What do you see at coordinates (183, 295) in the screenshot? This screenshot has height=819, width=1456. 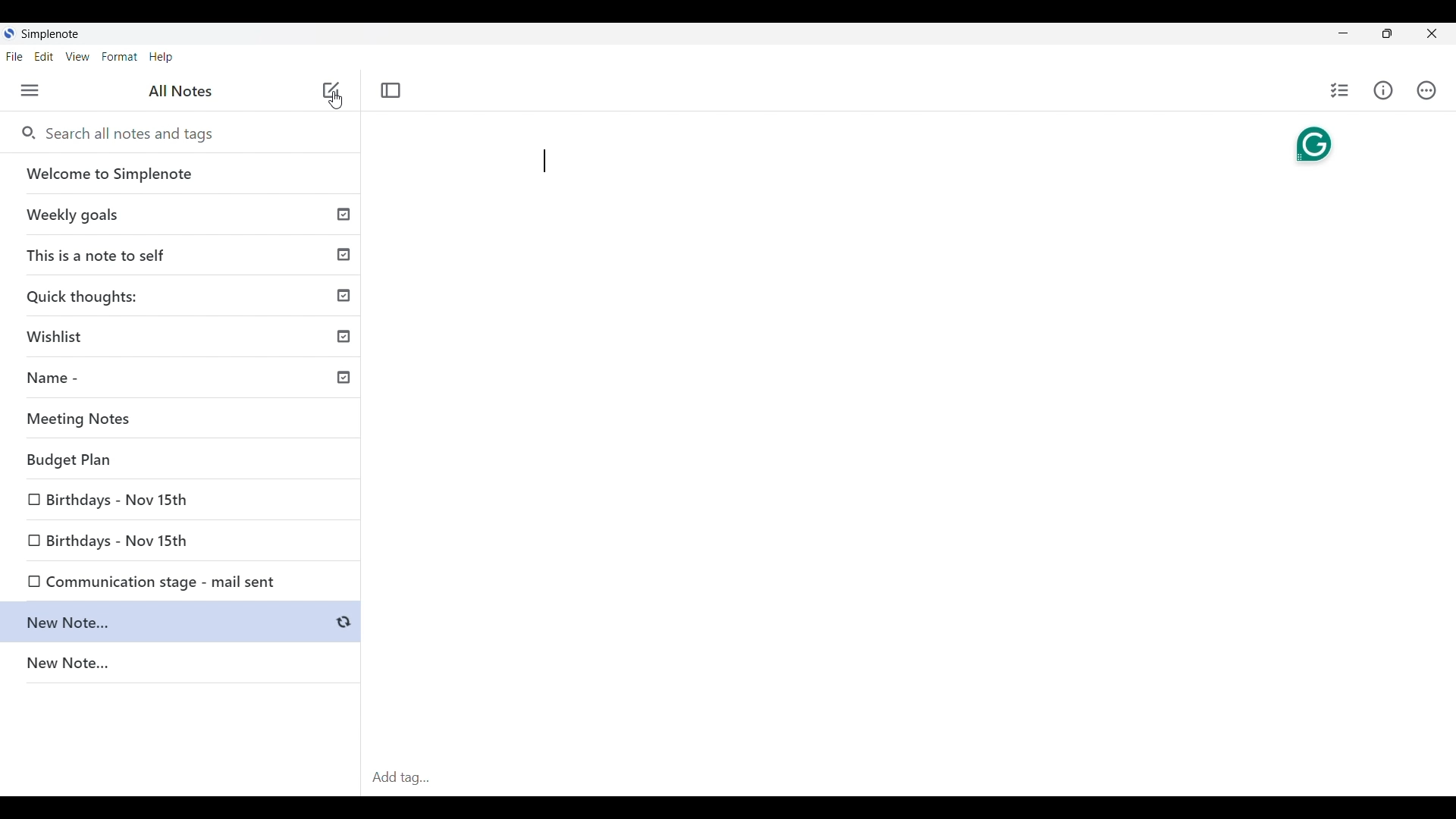 I see `Quick thoughts` at bounding box center [183, 295].